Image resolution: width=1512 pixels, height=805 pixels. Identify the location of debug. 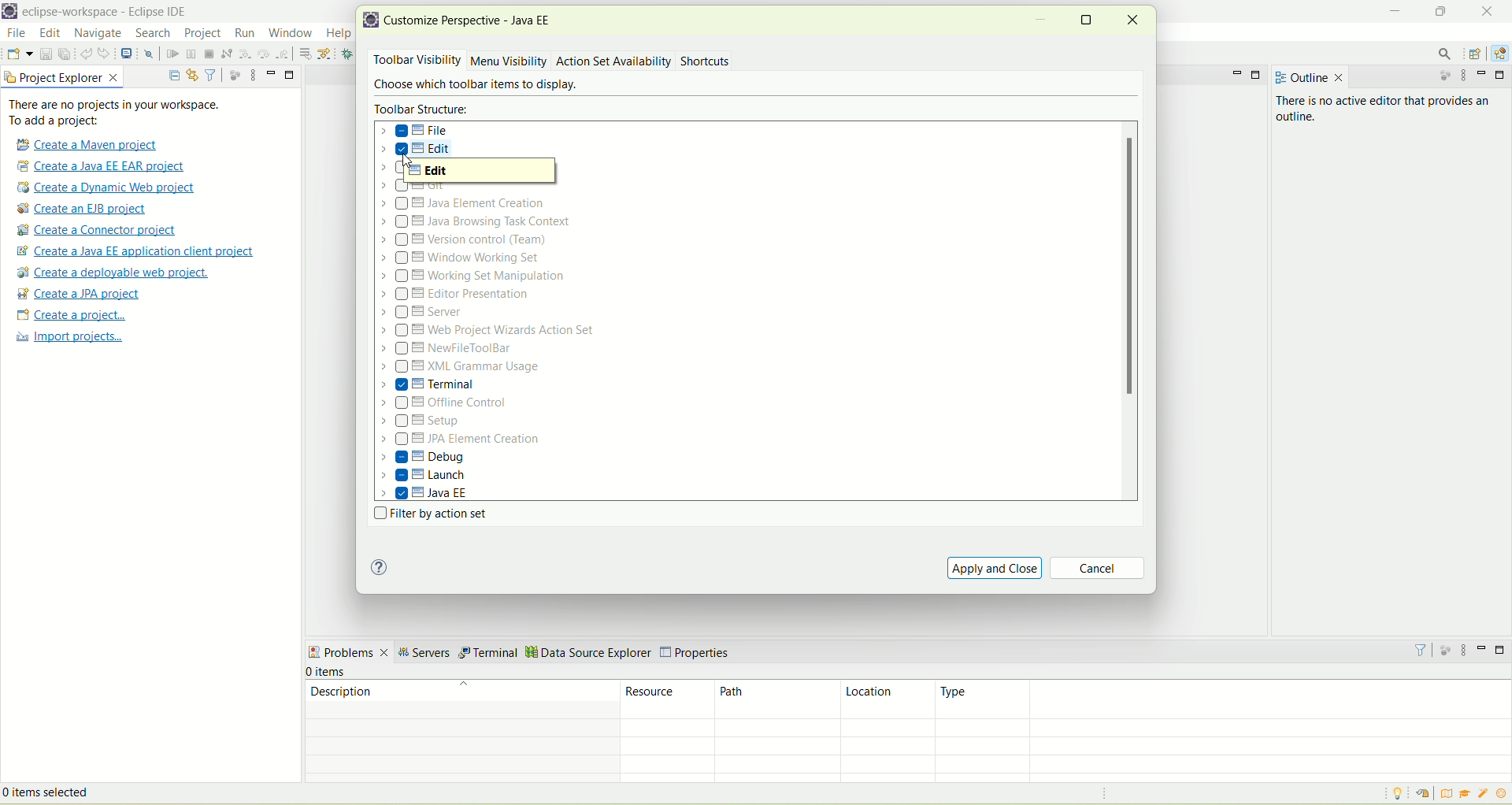
(351, 55).